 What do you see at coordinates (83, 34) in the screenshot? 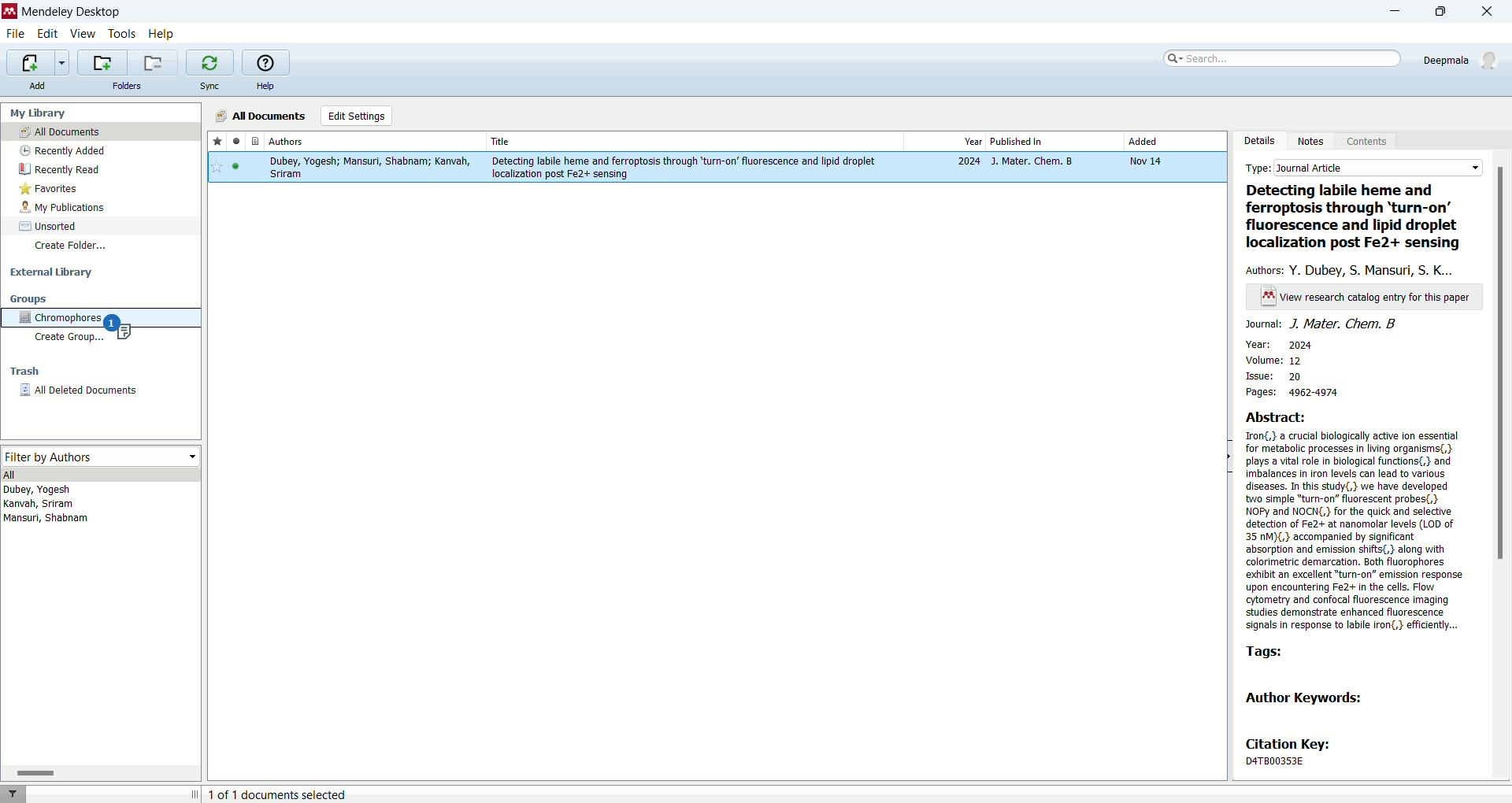
I see `view` at bounding box center [83, 34].